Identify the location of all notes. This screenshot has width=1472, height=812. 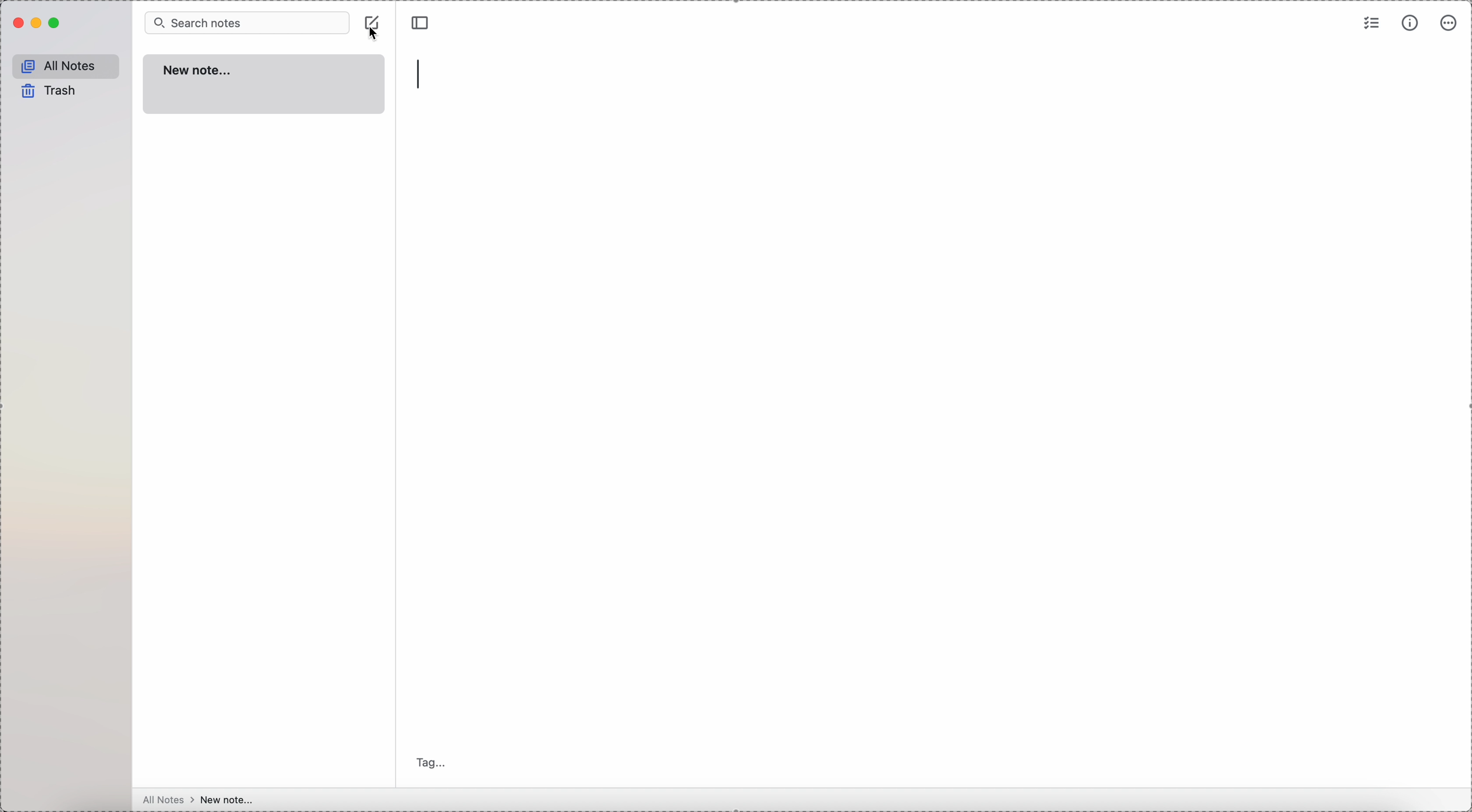
(67, 67).